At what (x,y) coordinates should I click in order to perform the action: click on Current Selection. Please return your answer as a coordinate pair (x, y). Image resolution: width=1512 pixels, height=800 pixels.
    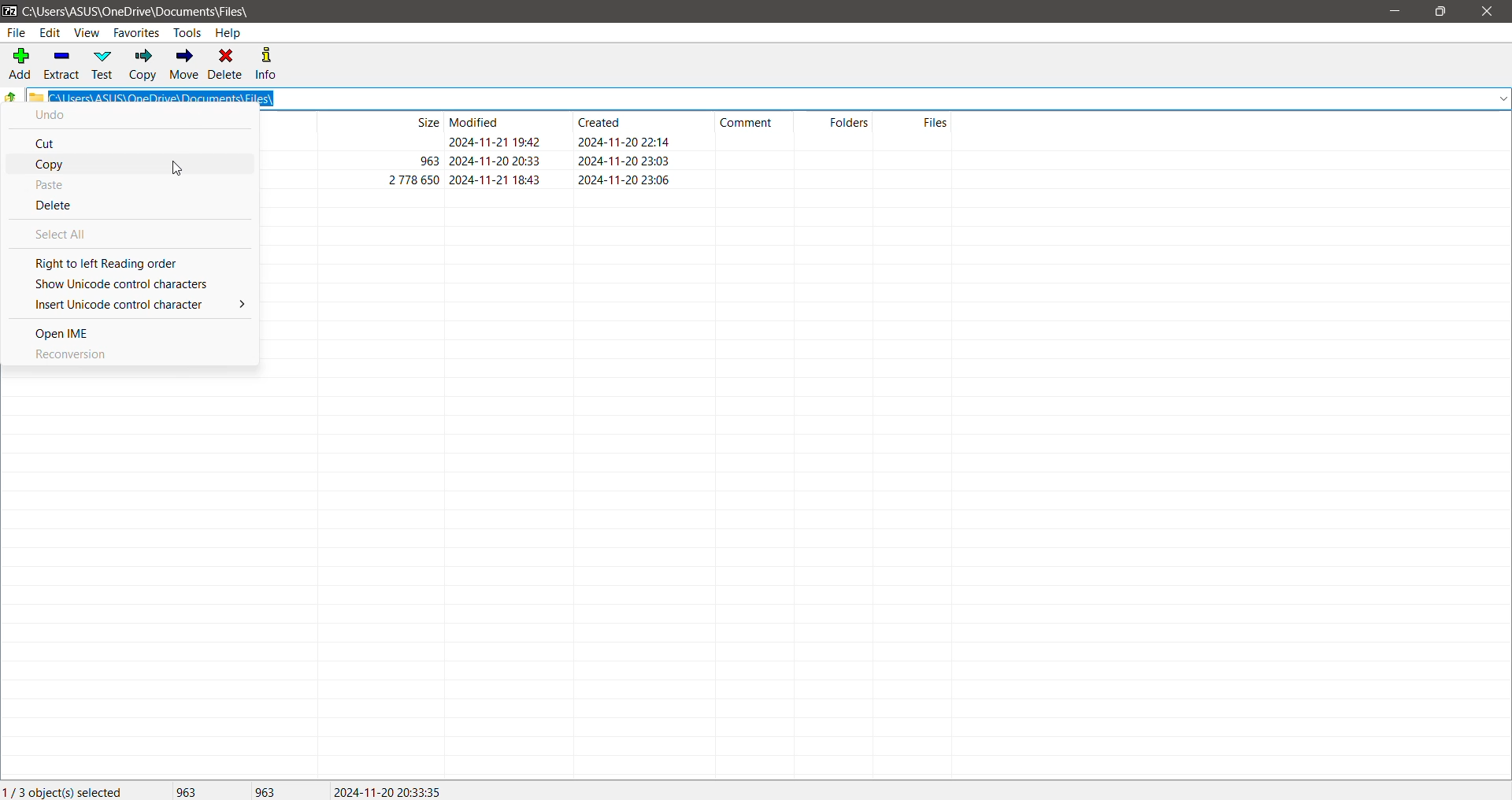
    Looking at the image, I should click on (65, 791).